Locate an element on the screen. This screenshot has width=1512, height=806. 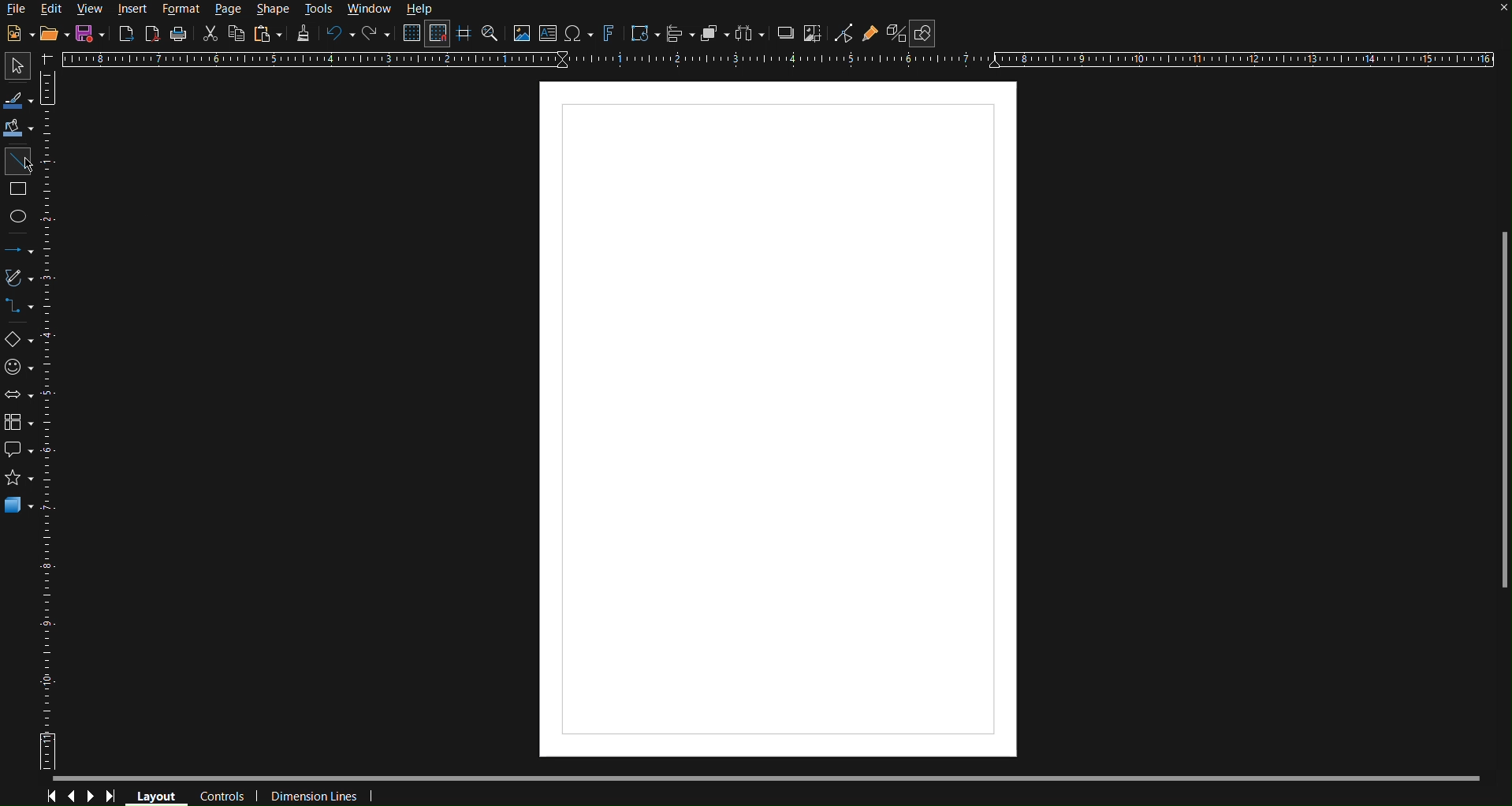
Select is located at coordinates (19, 67).